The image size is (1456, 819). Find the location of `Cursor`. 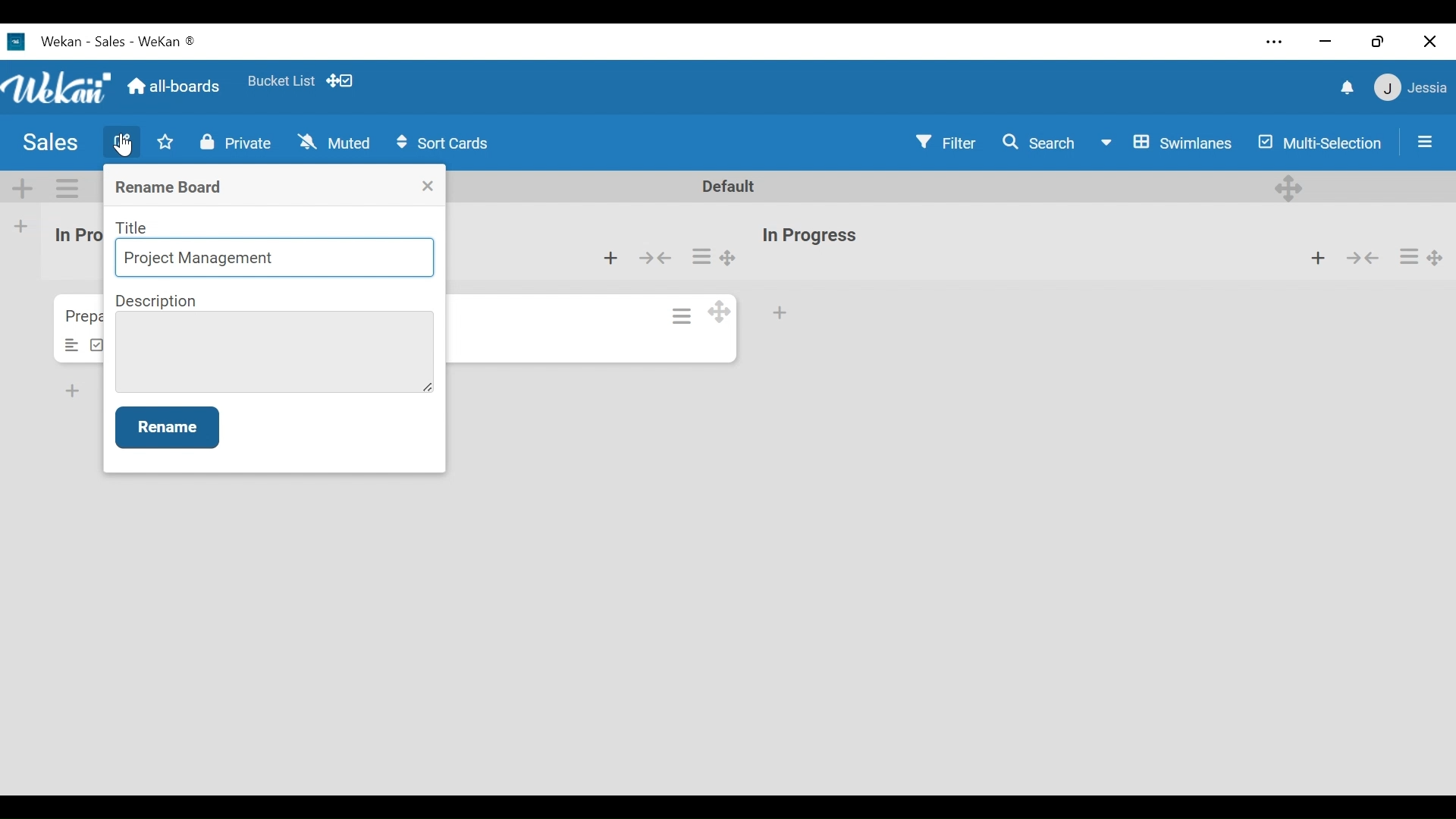

Cursor is located at coordinates (125, 146).